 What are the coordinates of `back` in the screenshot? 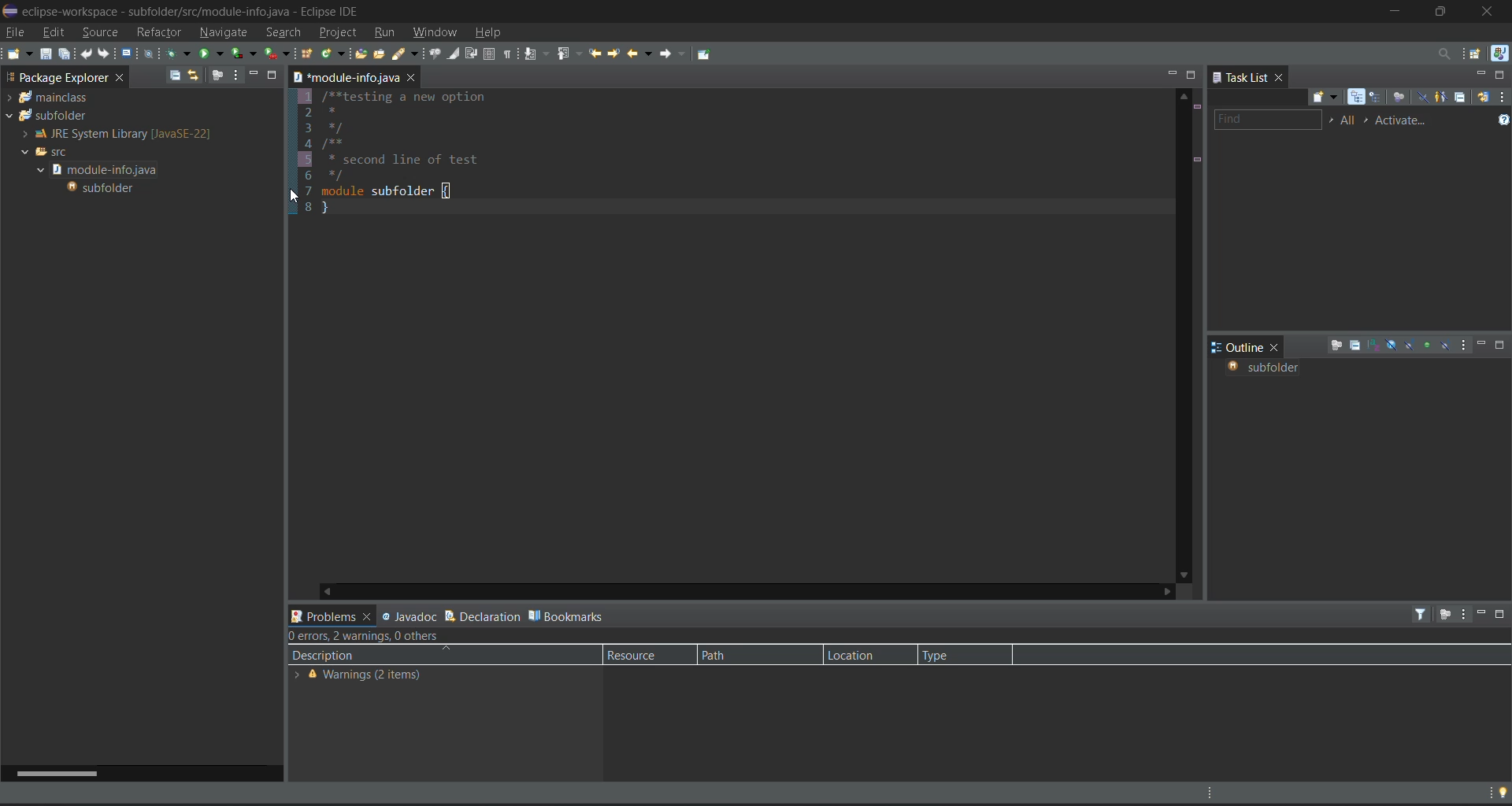 It's located at (636, 53).